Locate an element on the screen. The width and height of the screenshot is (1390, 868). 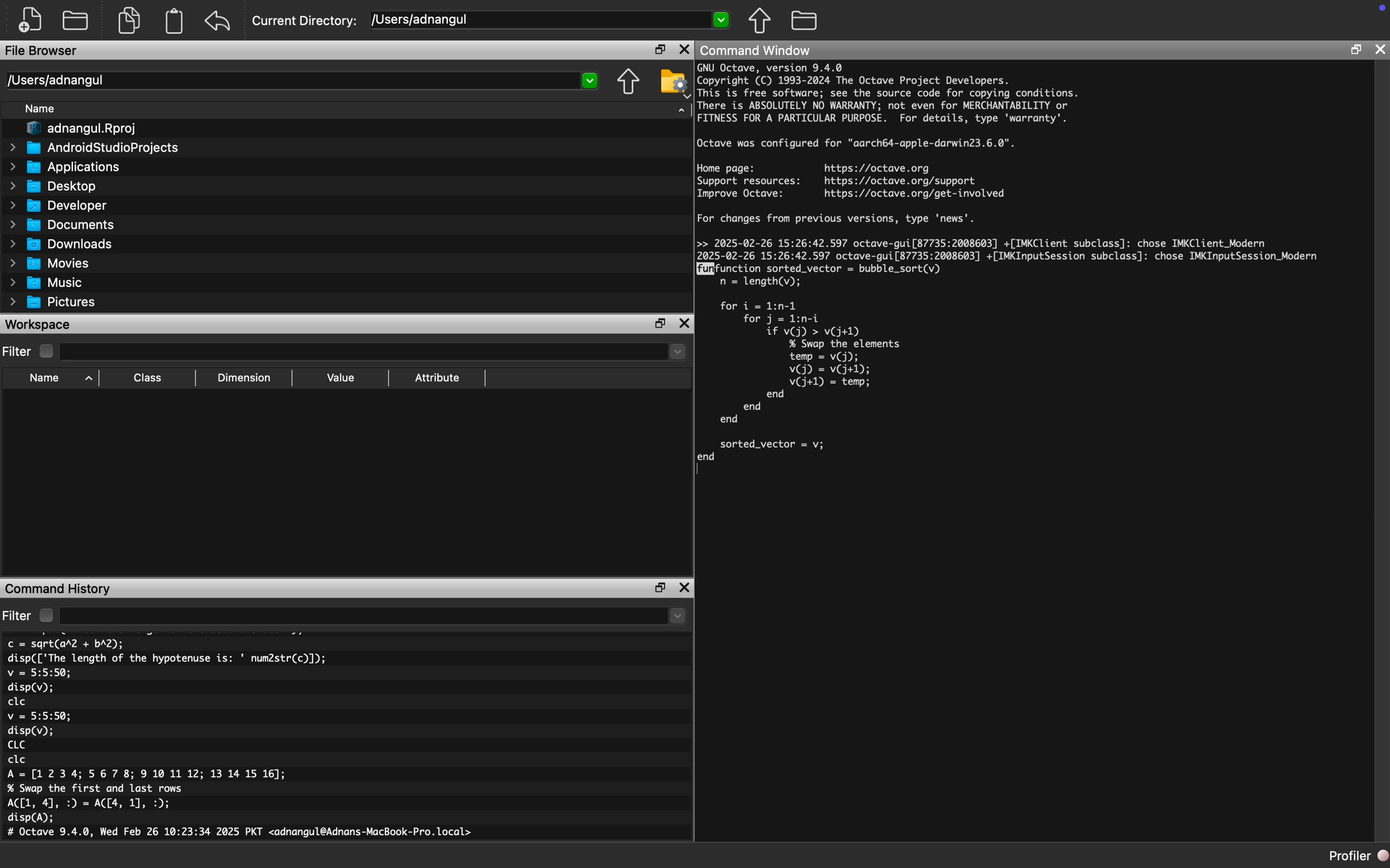
>> 2025-02-26 15:26:42.597 octave-gui[87735:2008603] +[IMKClient subclass]: chose IMKClient_Modern
2025-02-26 15:26:42.597 octave-gui[87735:2008603] +[IMKInputSession subclass]: chose IMKInputSession_Modern
[function sorted_vector = bubble_sort(v)
n = length(v);
for i = 1:n-1
for j = 1:n-i
if v(3) > v(G+1)
% Swap the elements
temp = v(3);
v(3) = v(G+D);
v(j+1) = temp;
end
end
end
sorted_vector = v;
a is located at coordinates (1014, 356).